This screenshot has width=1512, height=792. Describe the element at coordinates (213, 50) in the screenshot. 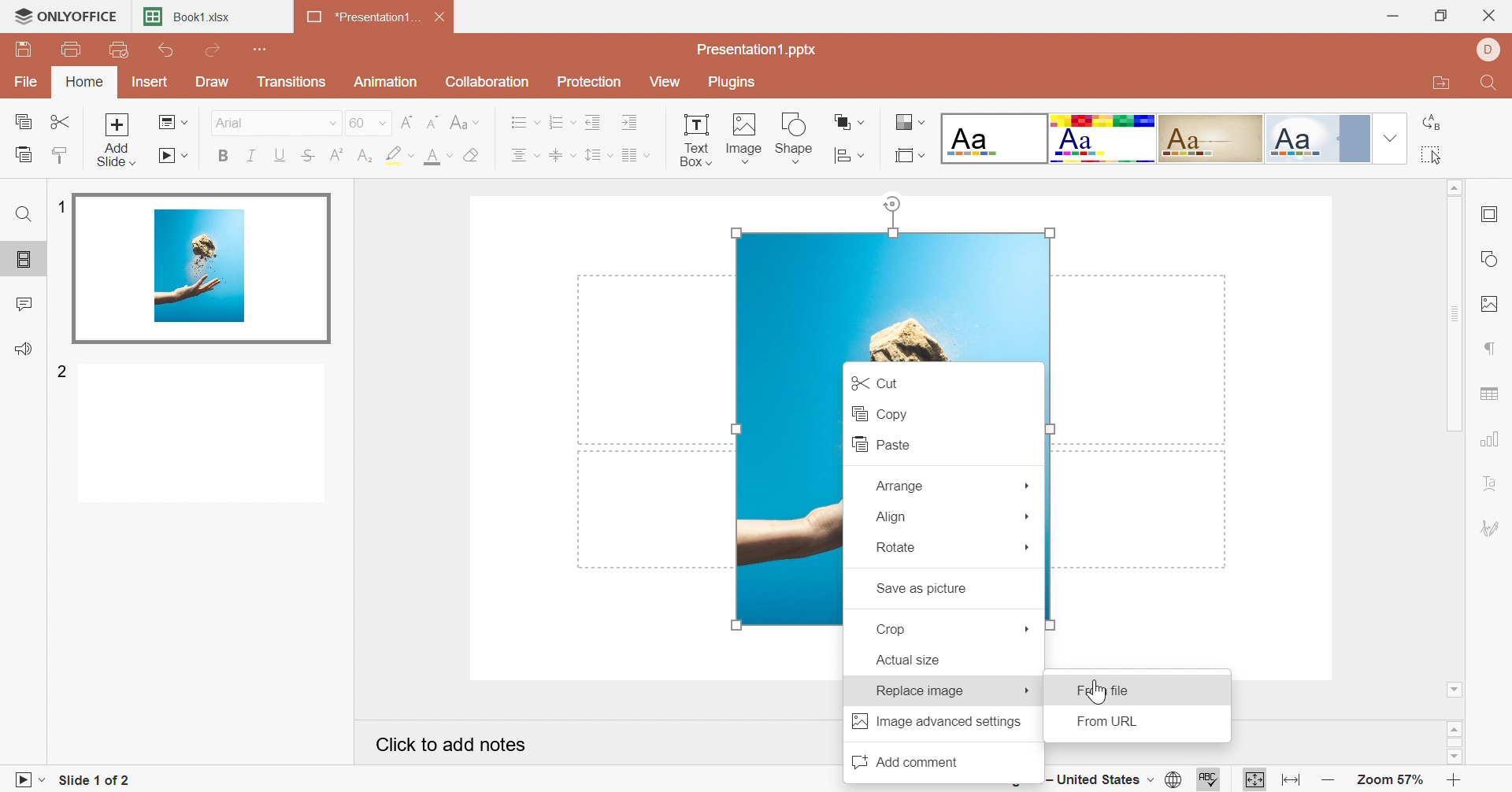

I see `Redo` at that location.